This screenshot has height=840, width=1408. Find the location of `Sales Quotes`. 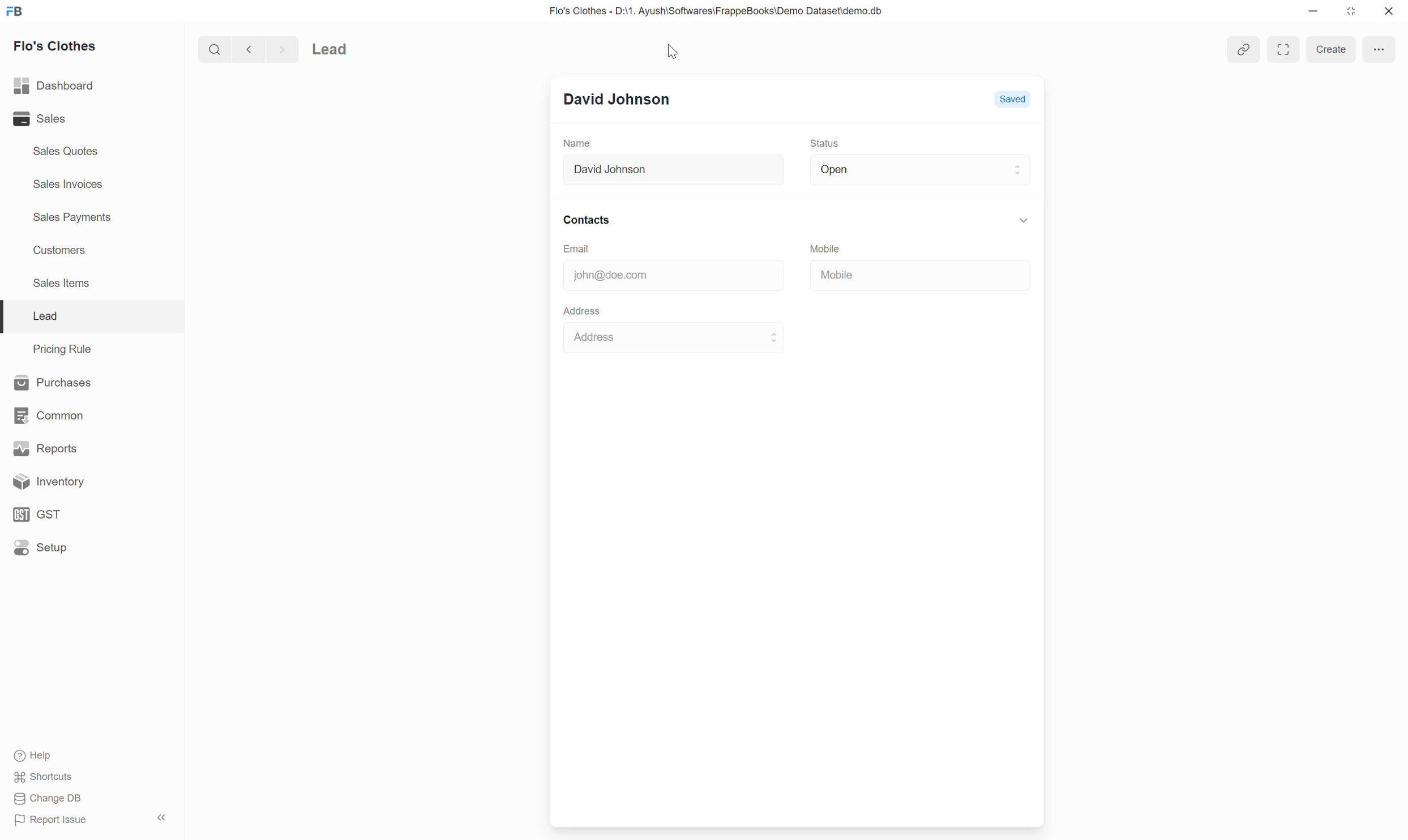

Sales Quotes is located at coordinates (68, 153).